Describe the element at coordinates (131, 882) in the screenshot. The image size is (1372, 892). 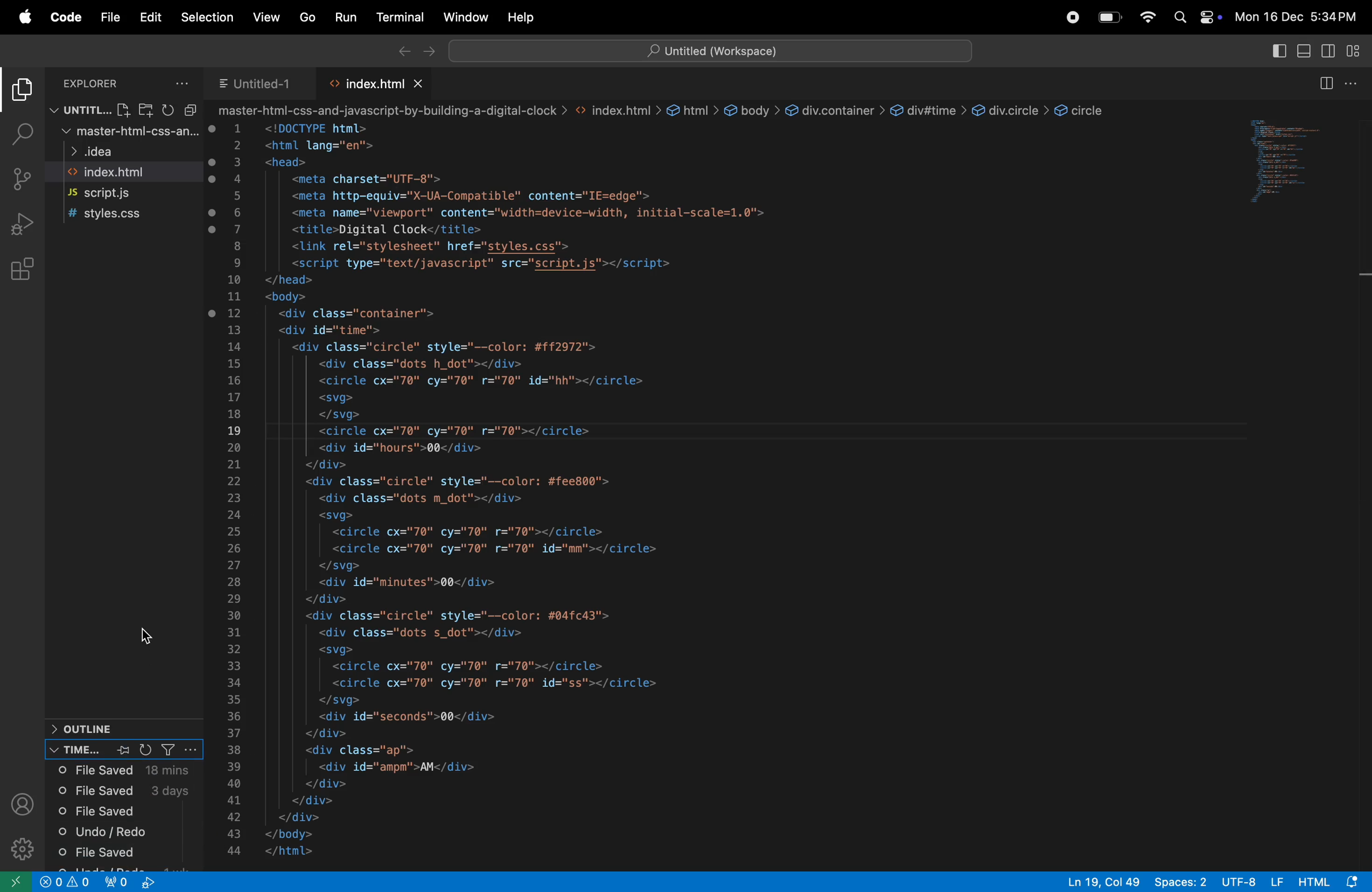
I see `view port` at that location.